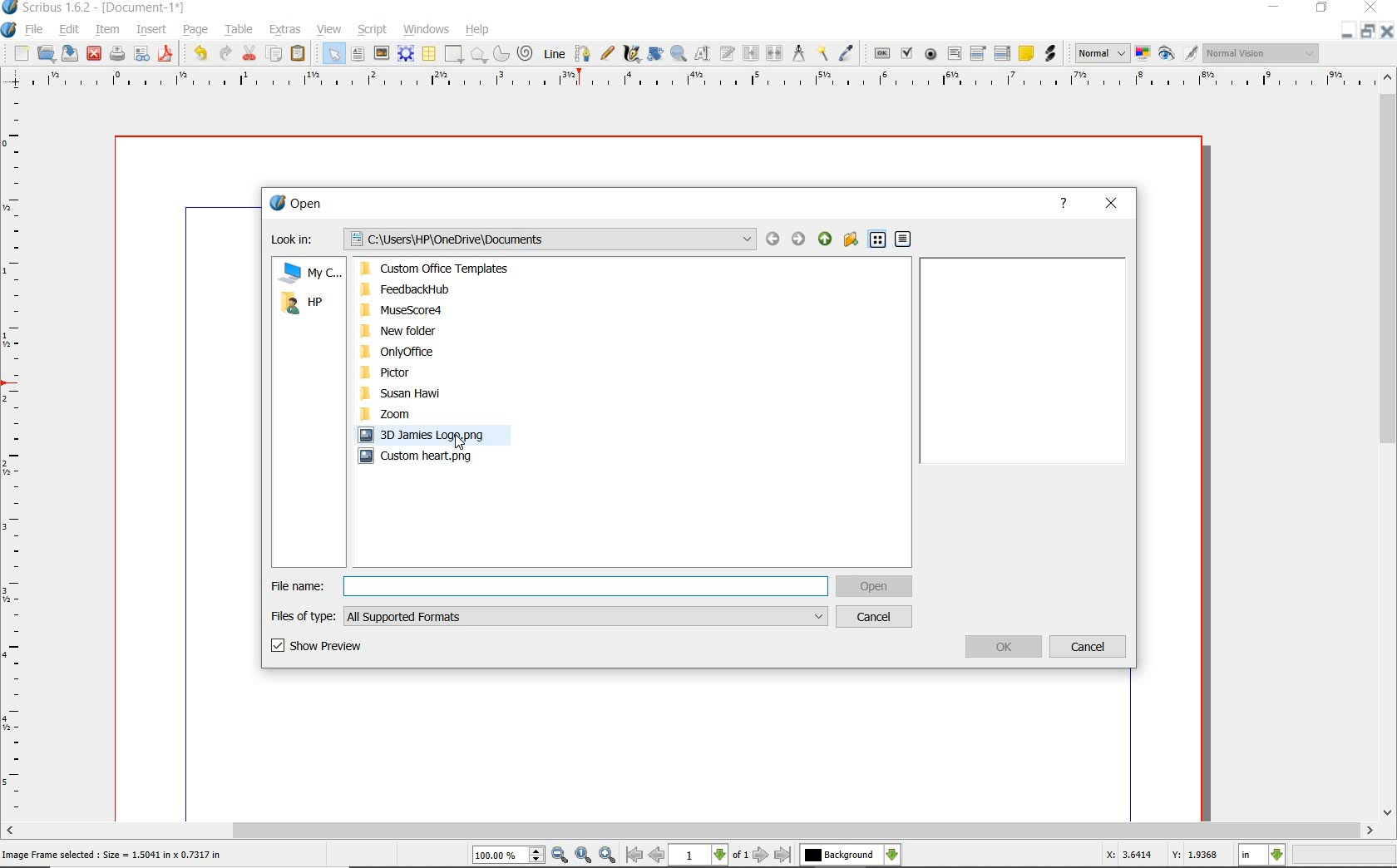 This screenshot has width=1397, height=868. What do you see at coordinates (503, 55) in the screenshot?
I see `arc` at bounding box center [503, 55].